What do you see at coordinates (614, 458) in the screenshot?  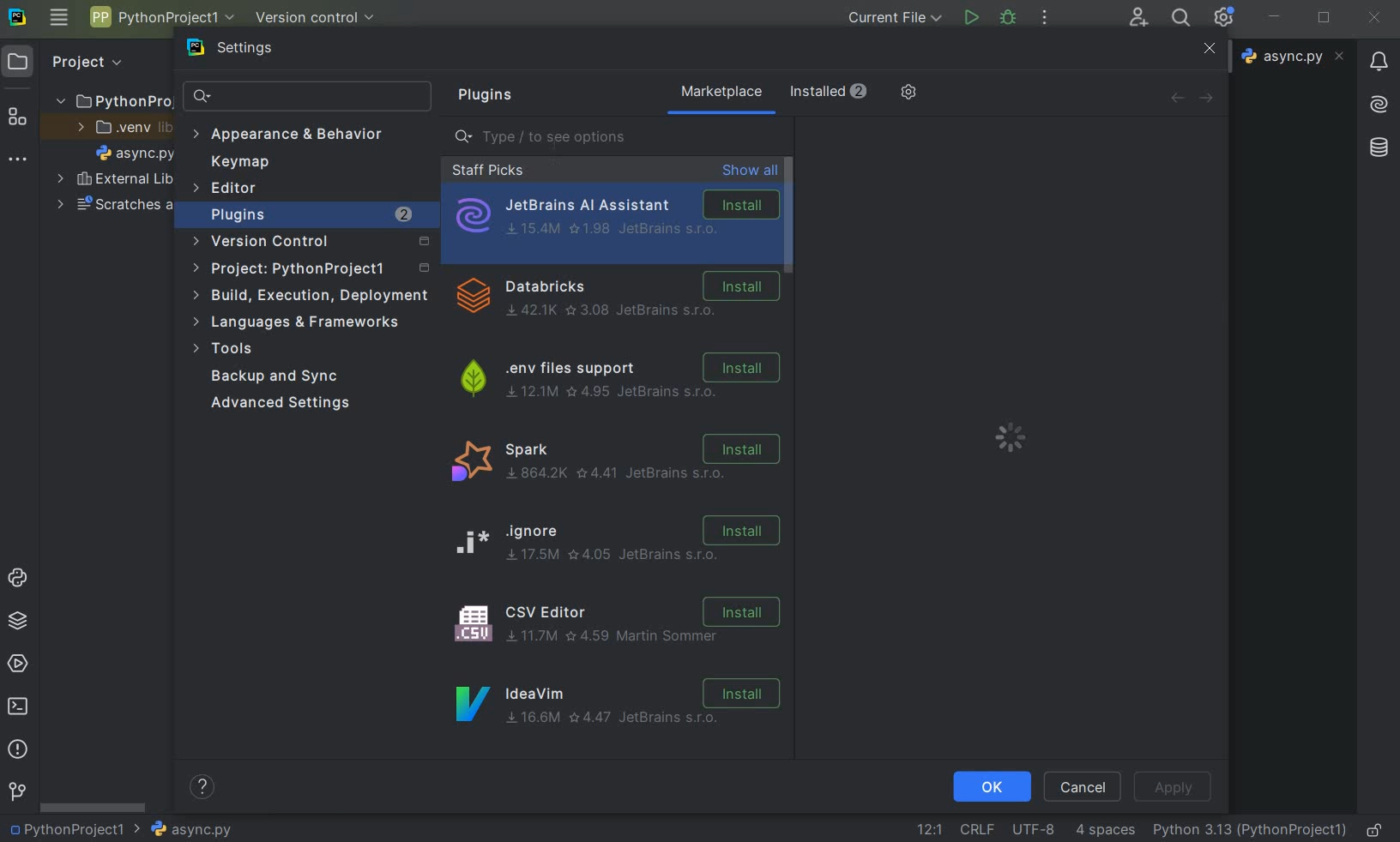 I see `spark` at bounding box center [614, 458].